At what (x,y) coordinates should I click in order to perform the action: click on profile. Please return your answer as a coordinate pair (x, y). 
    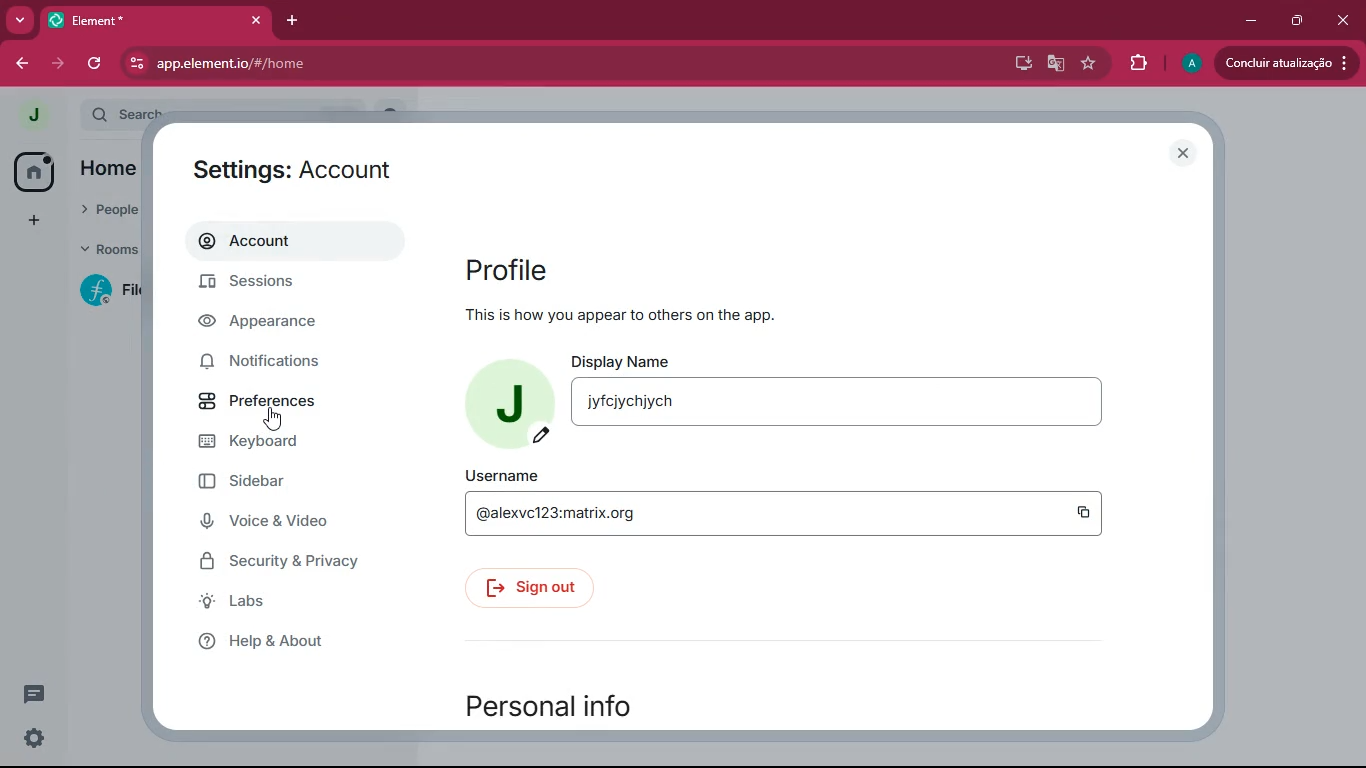
    Looking at the image, I should click on (546, 274).